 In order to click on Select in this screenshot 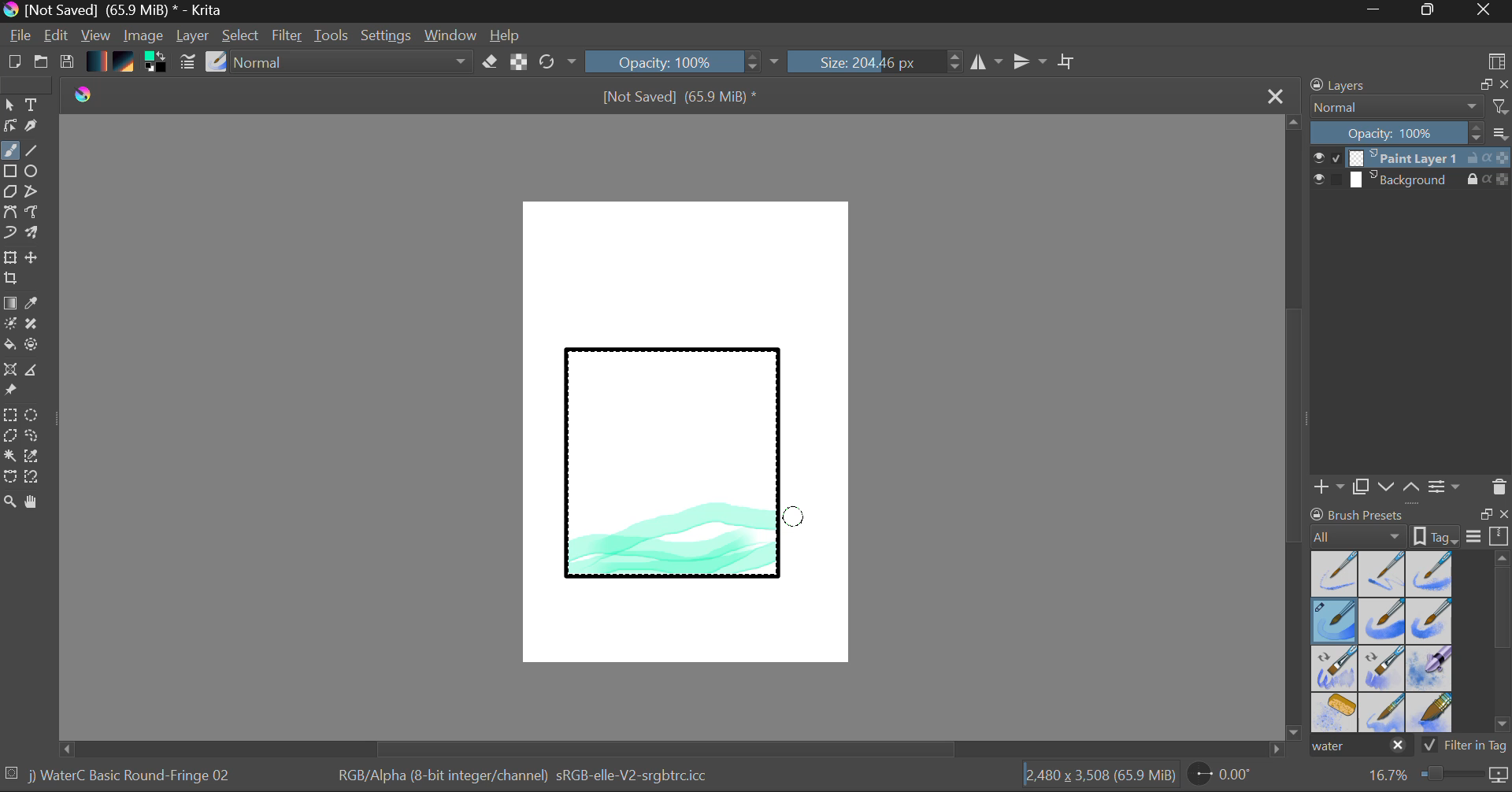, I will do `click(242, 36)`.